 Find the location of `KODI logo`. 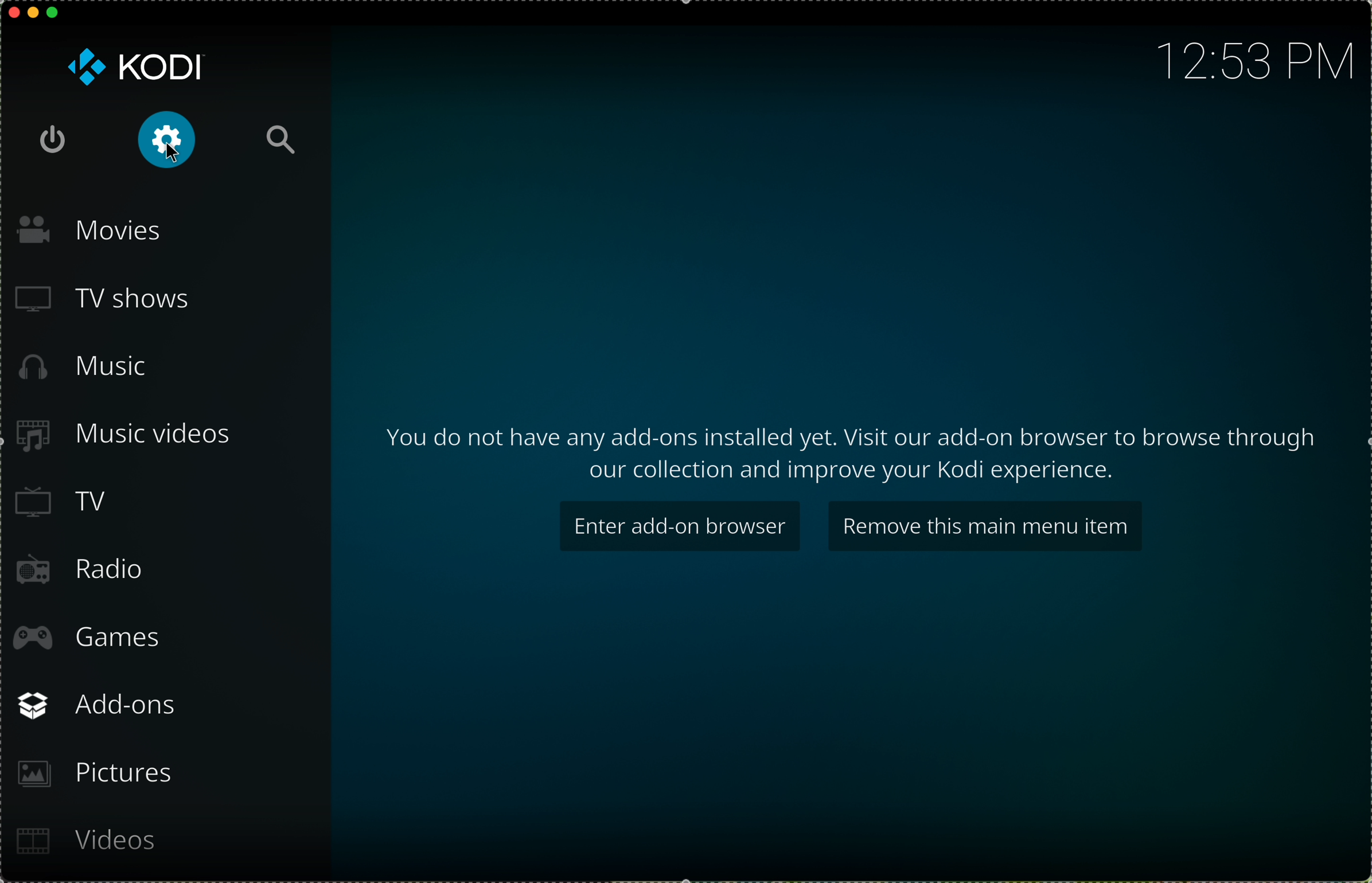

KODI logo is located at coordinates (140, 67).